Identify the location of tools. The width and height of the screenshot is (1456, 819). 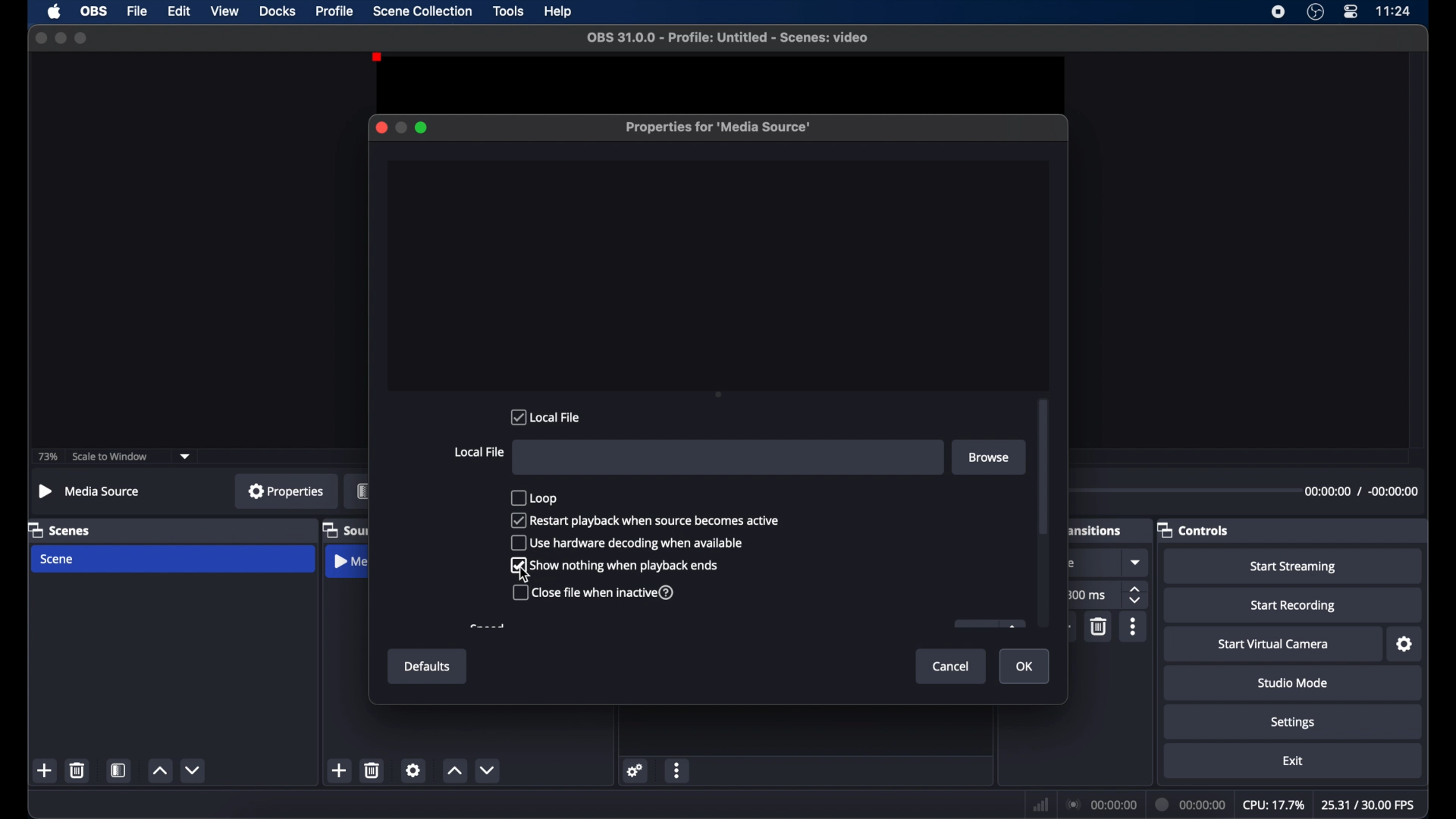
(509, 11).